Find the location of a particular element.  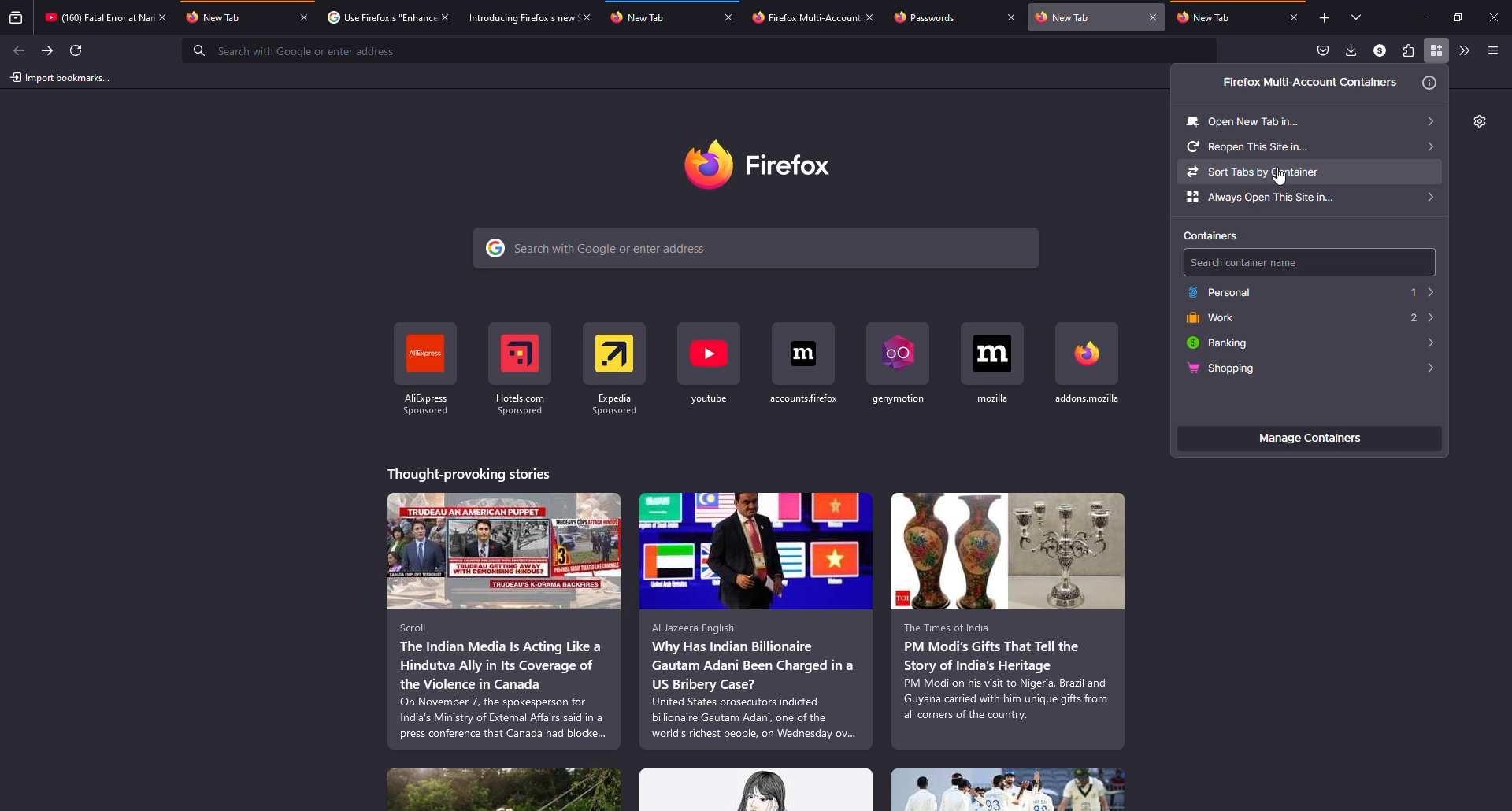

profile is located at coordinates (1378, 50).